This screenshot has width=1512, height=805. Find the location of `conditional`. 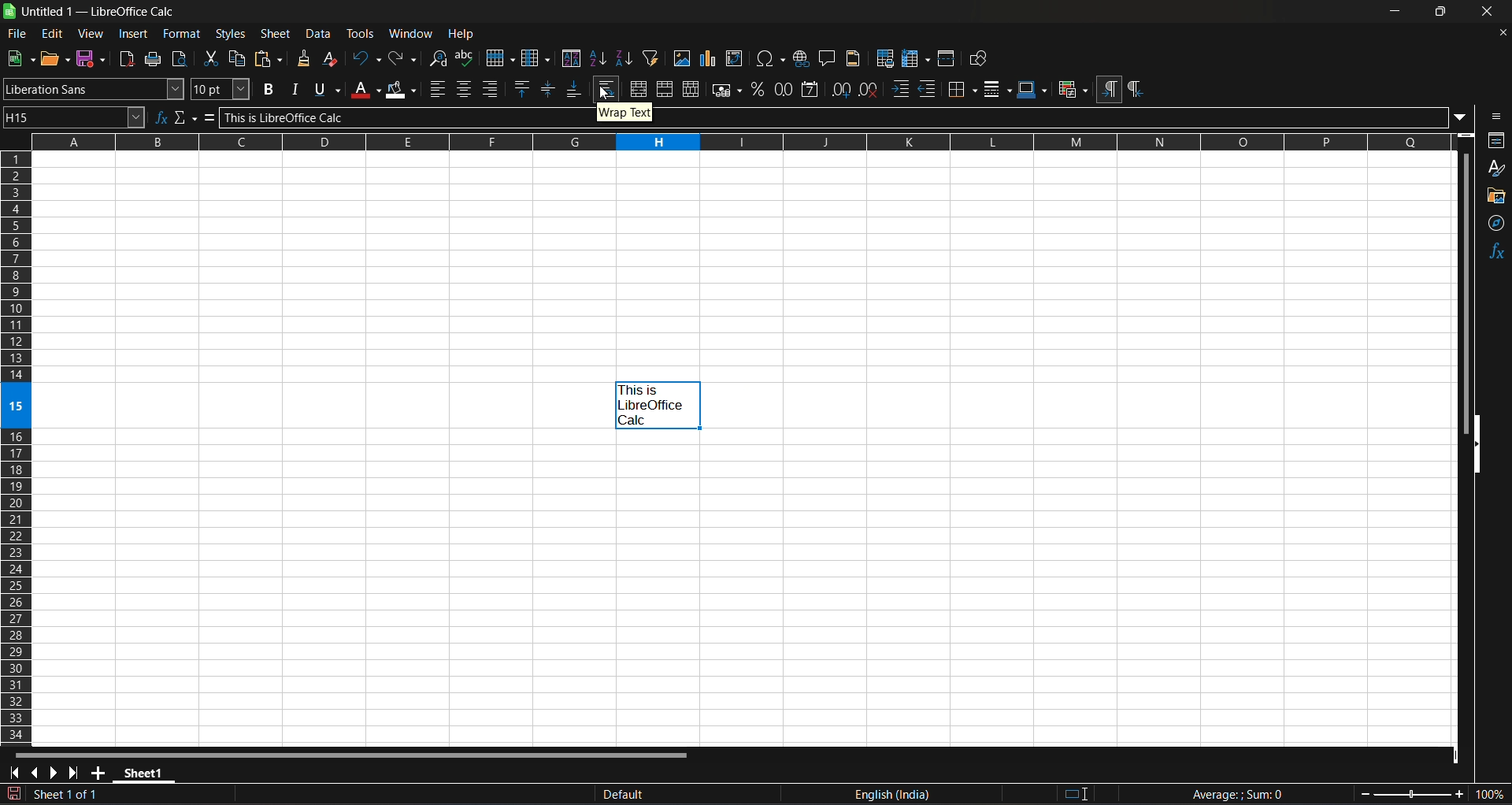

conditional is located at coordinates (1074, 88).